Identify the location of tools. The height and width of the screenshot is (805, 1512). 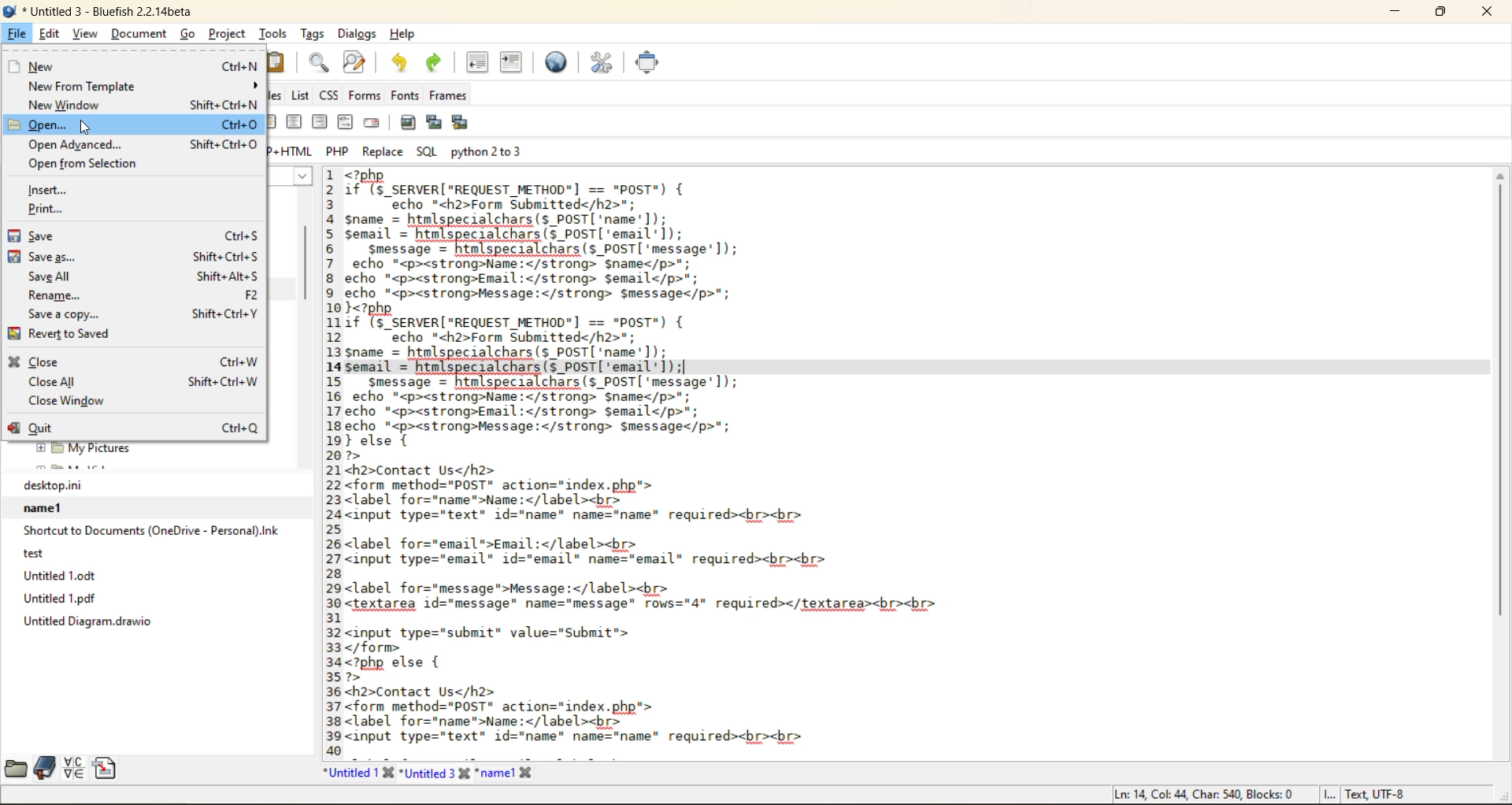
(274, 33).